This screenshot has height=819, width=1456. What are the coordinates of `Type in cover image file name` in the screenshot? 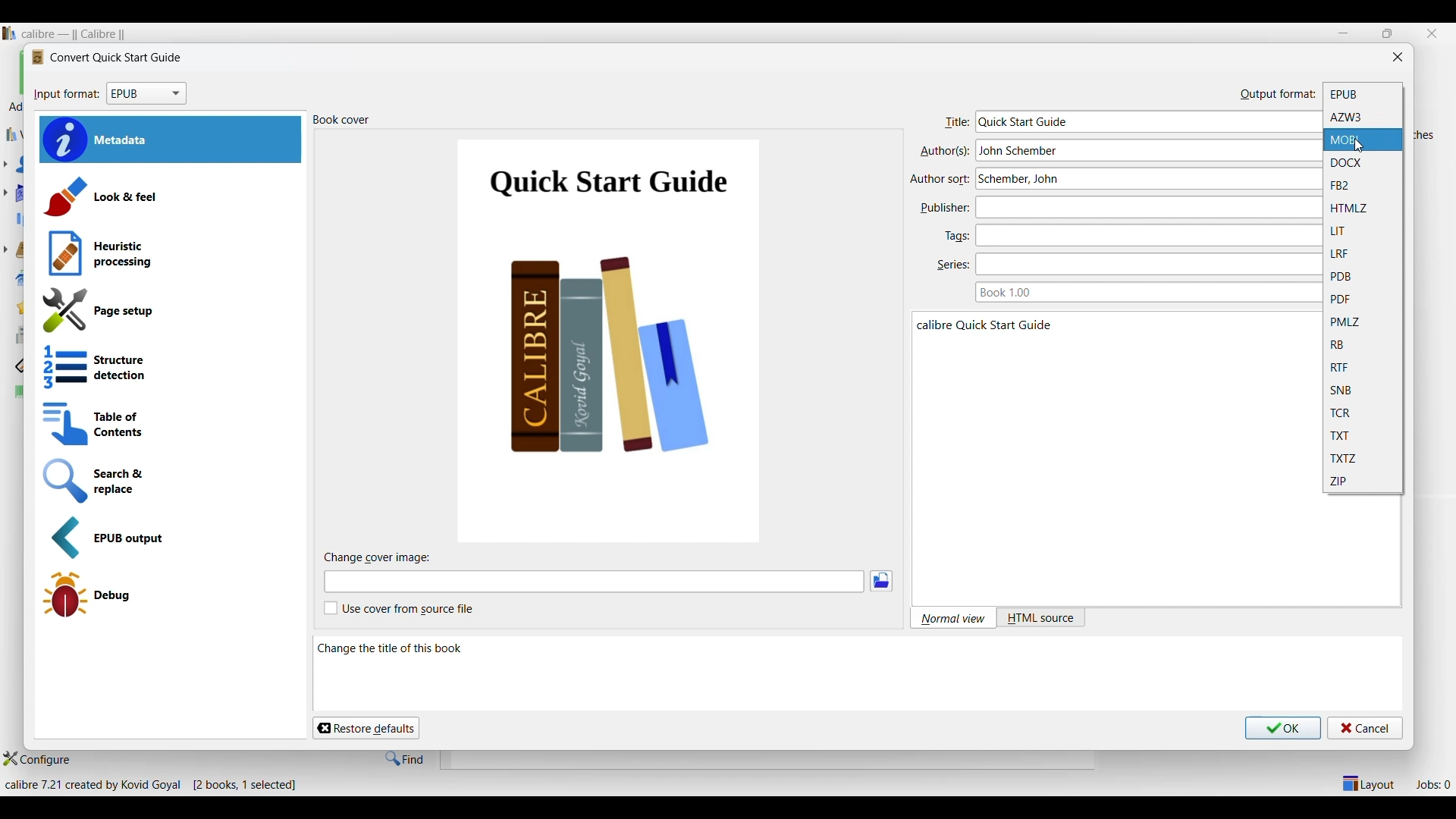 It's located at (594, 582).